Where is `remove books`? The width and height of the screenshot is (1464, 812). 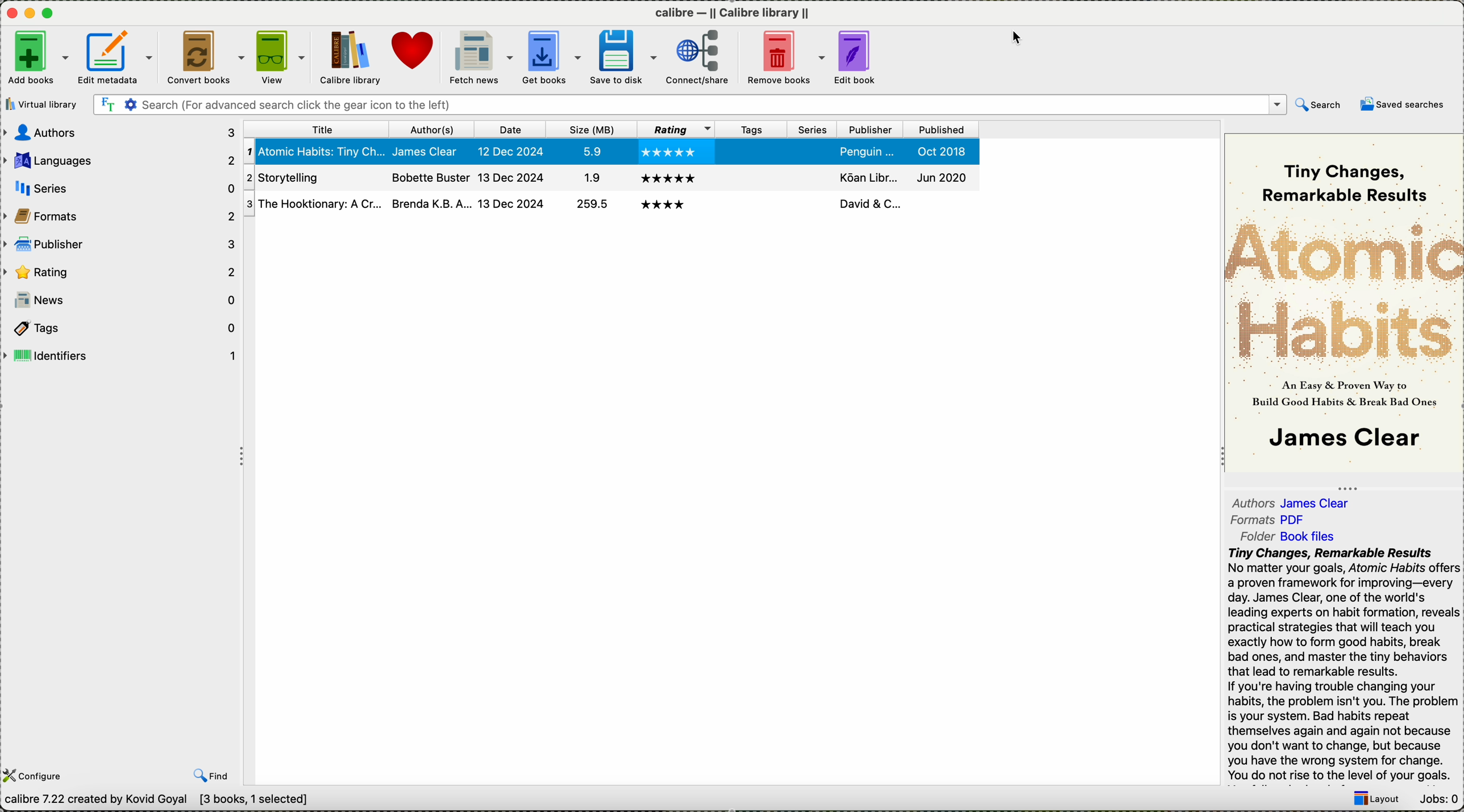 remove books is located at coordinates (785, 57).